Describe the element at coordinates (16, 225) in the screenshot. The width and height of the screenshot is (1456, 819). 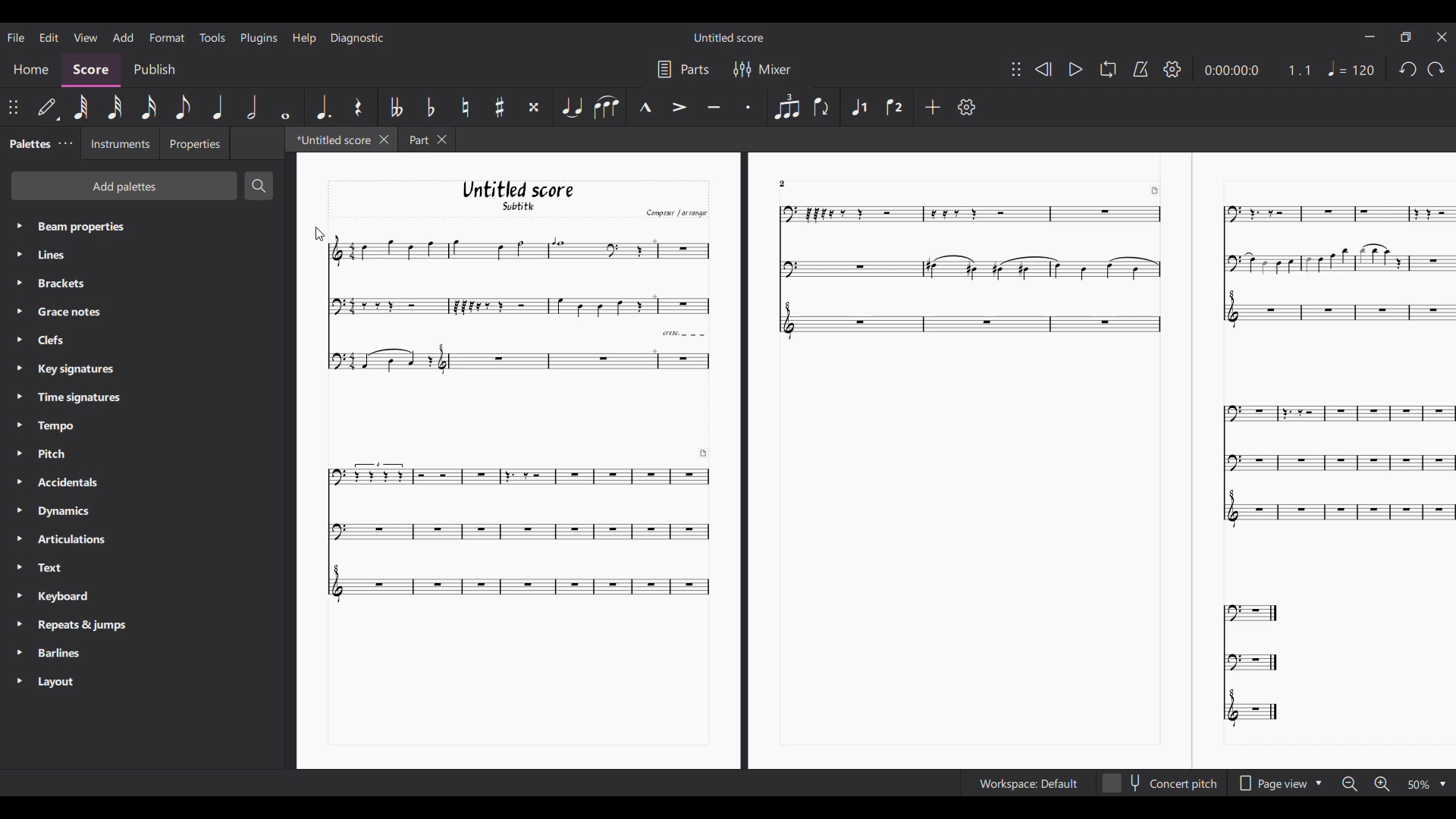
I see `` at that location.